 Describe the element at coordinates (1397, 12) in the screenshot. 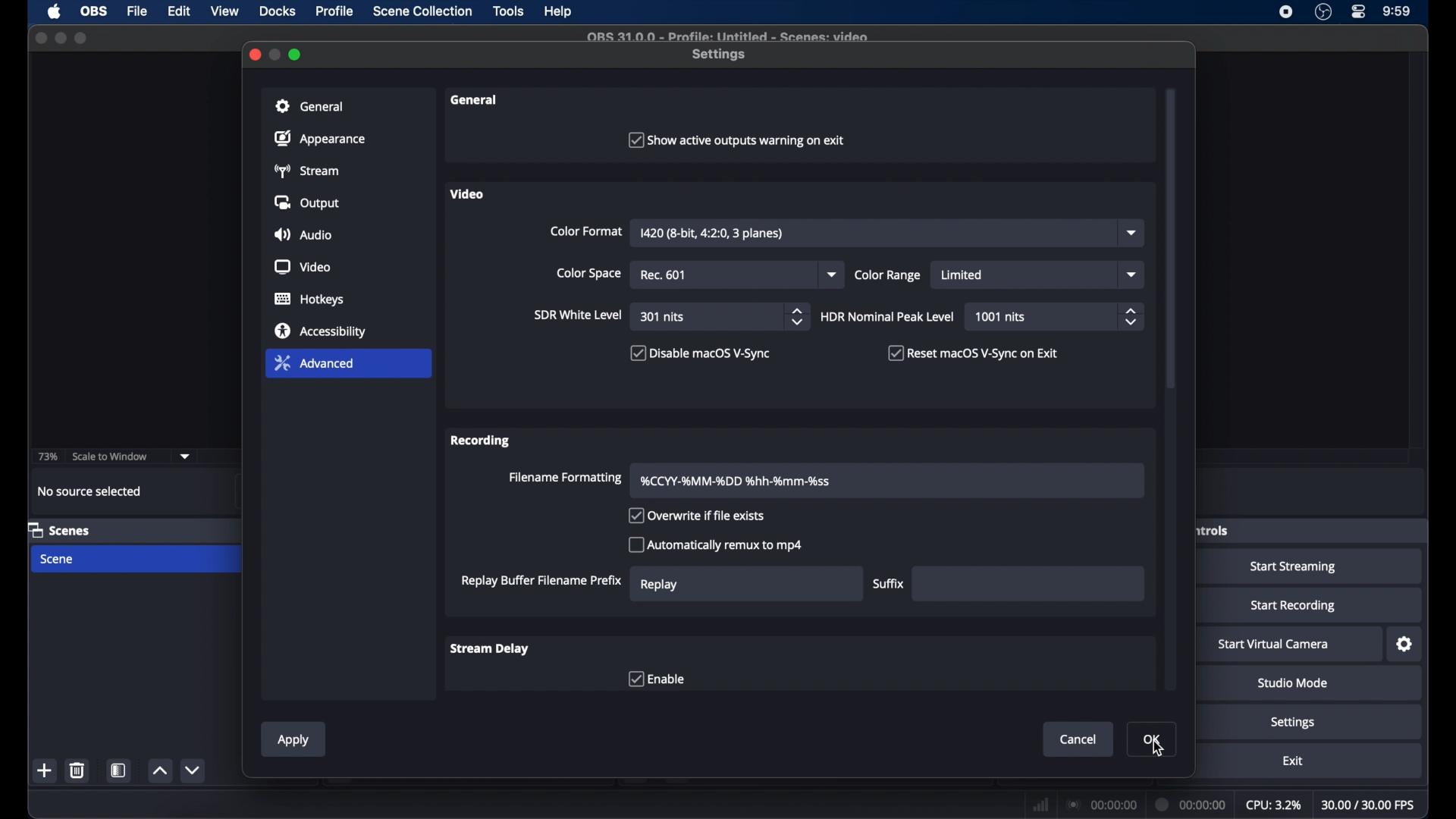

I see `time` at that location.